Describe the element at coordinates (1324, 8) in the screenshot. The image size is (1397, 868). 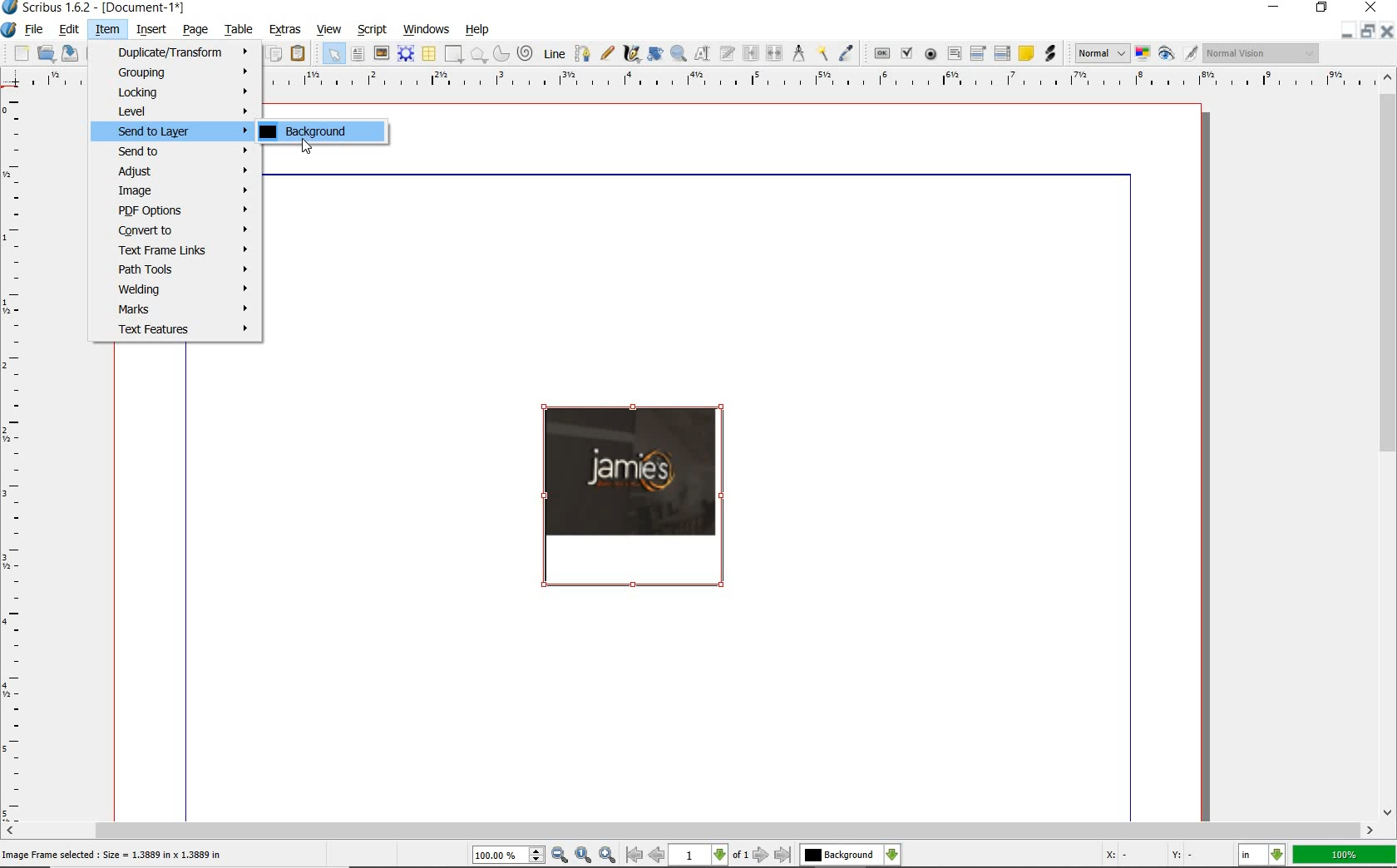
I see `restore` at that location.